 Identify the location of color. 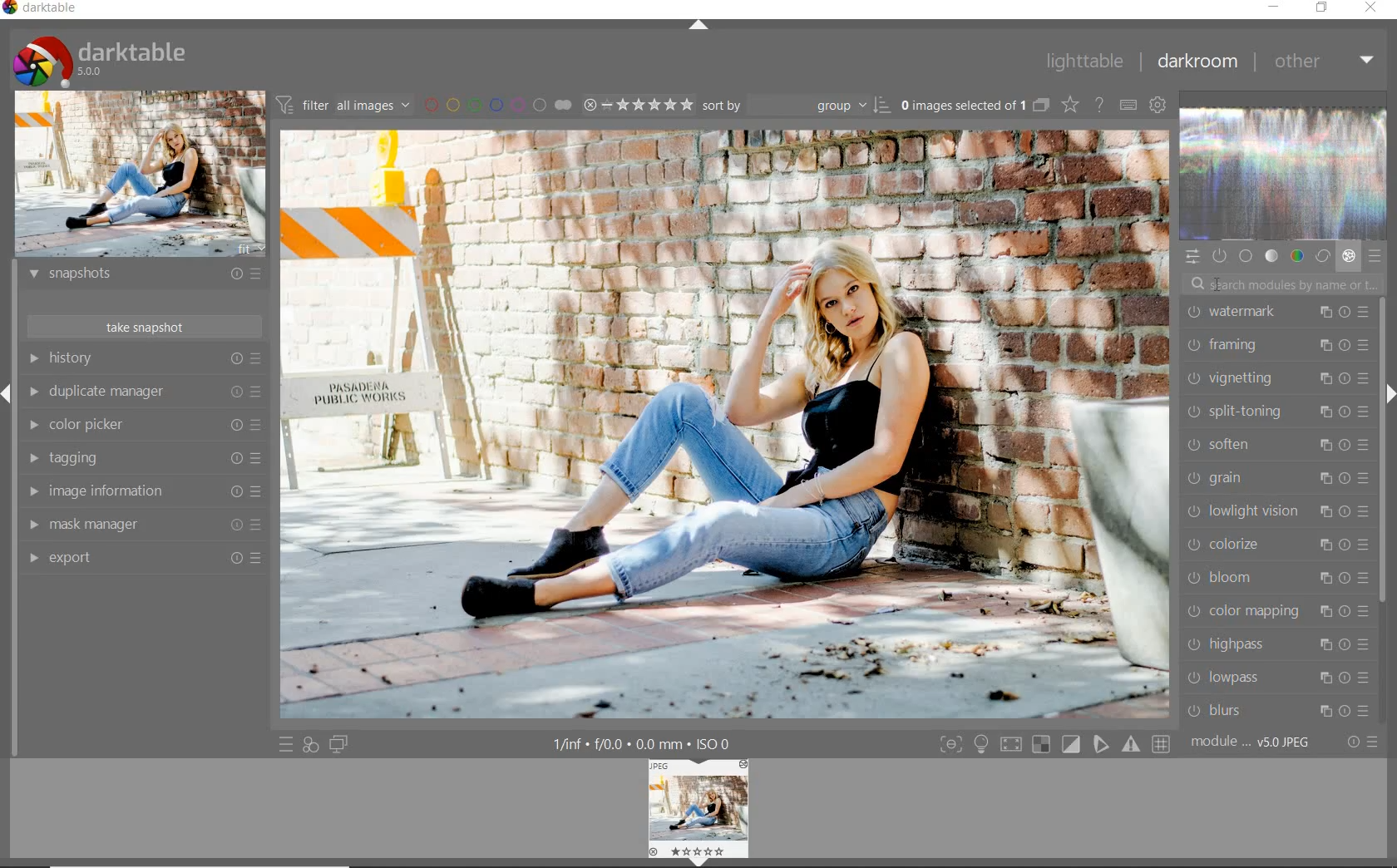
(1296, 257).